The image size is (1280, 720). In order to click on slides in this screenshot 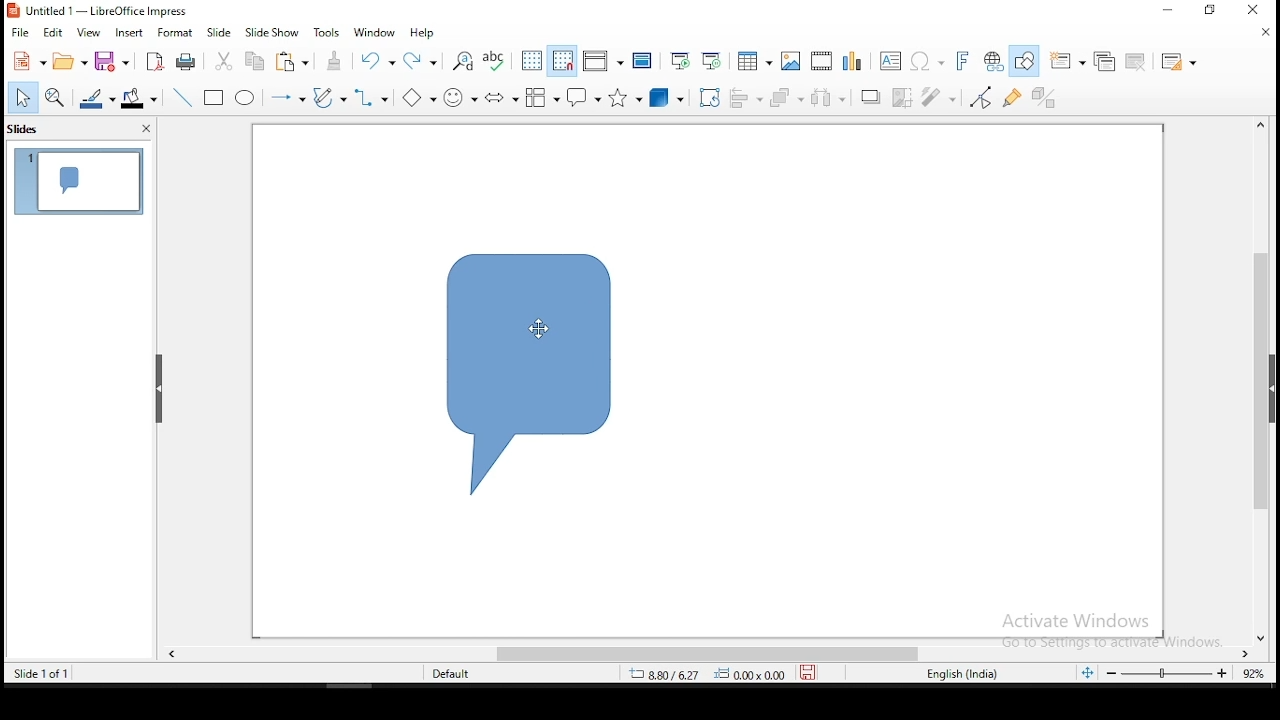, I will do `click(31, 129)`.